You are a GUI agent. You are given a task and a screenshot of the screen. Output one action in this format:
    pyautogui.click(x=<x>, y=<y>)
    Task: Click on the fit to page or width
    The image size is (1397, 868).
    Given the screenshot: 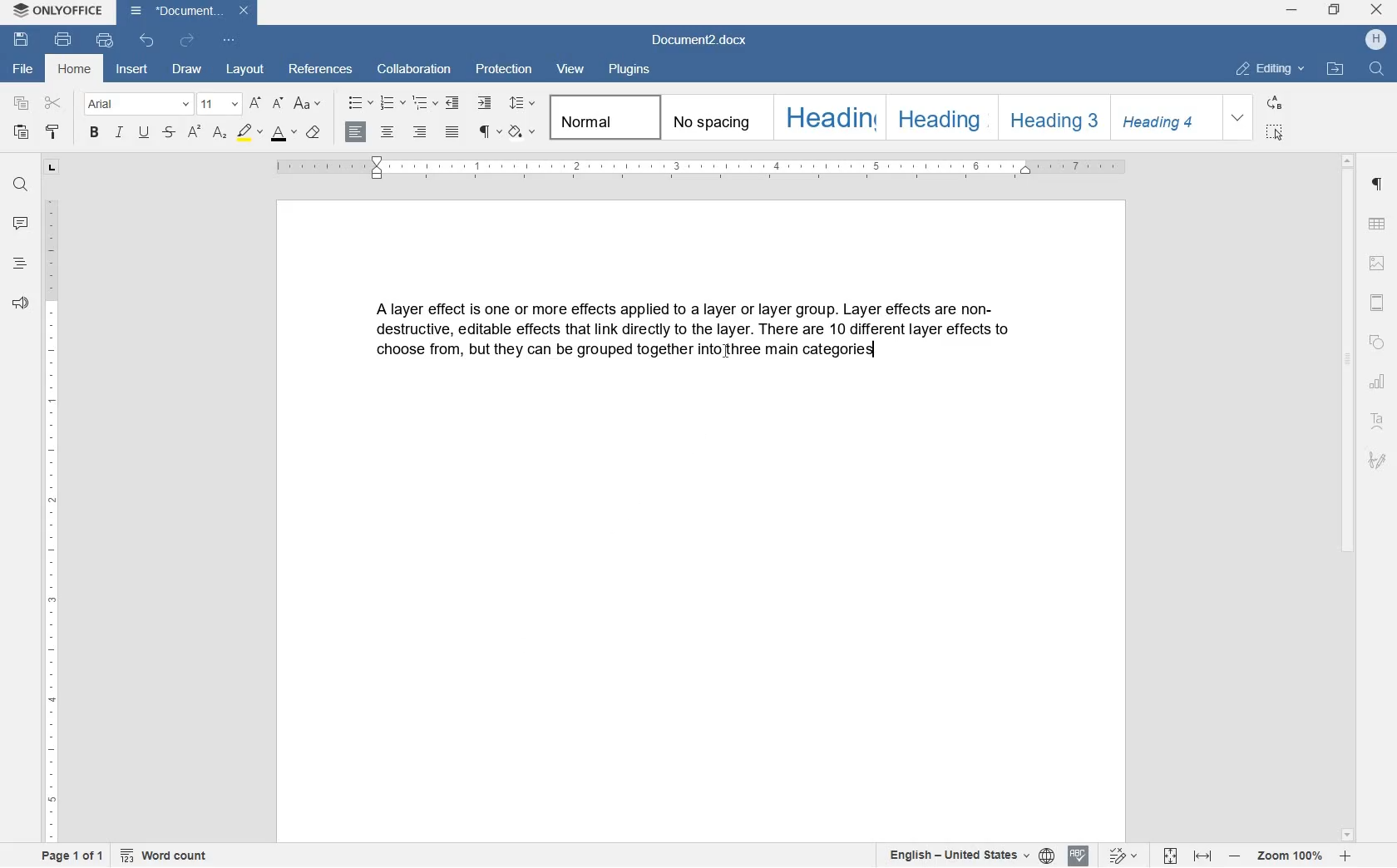 What is the action you would take?
    pyautogui.click(x=1187, y=857)
    